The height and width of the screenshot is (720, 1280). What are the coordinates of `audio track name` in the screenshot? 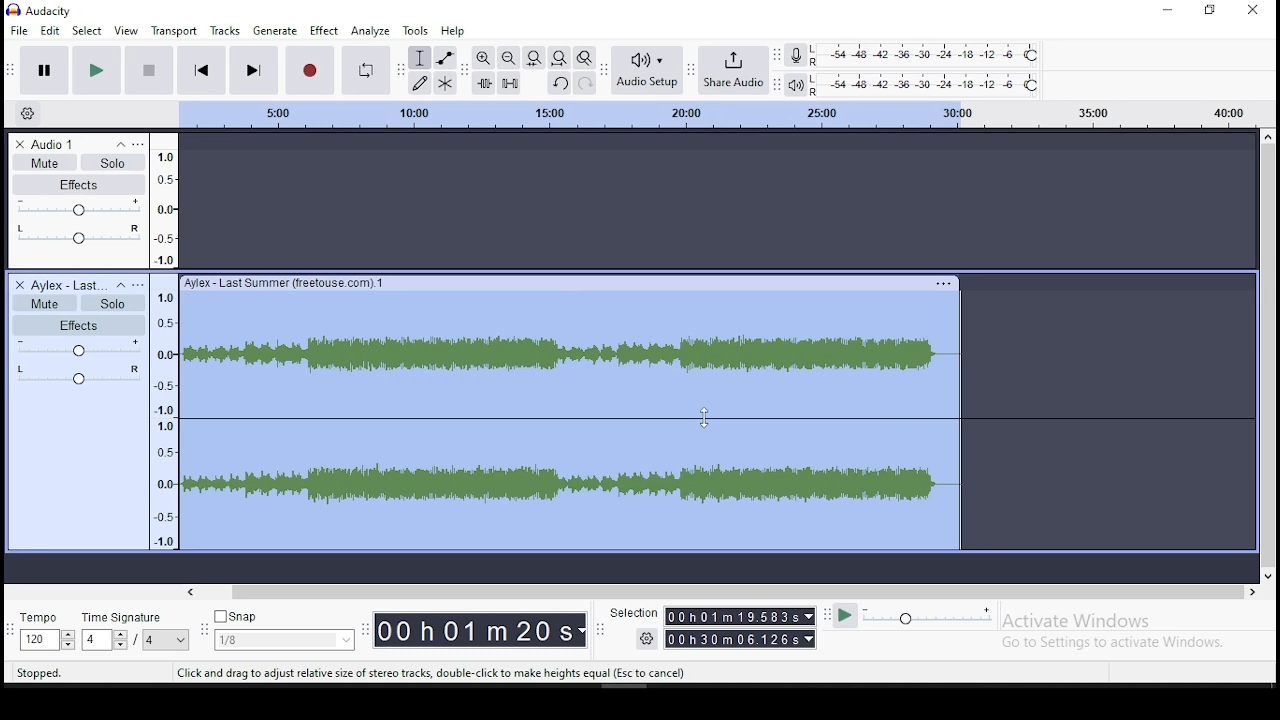 It's located at (69, 284).